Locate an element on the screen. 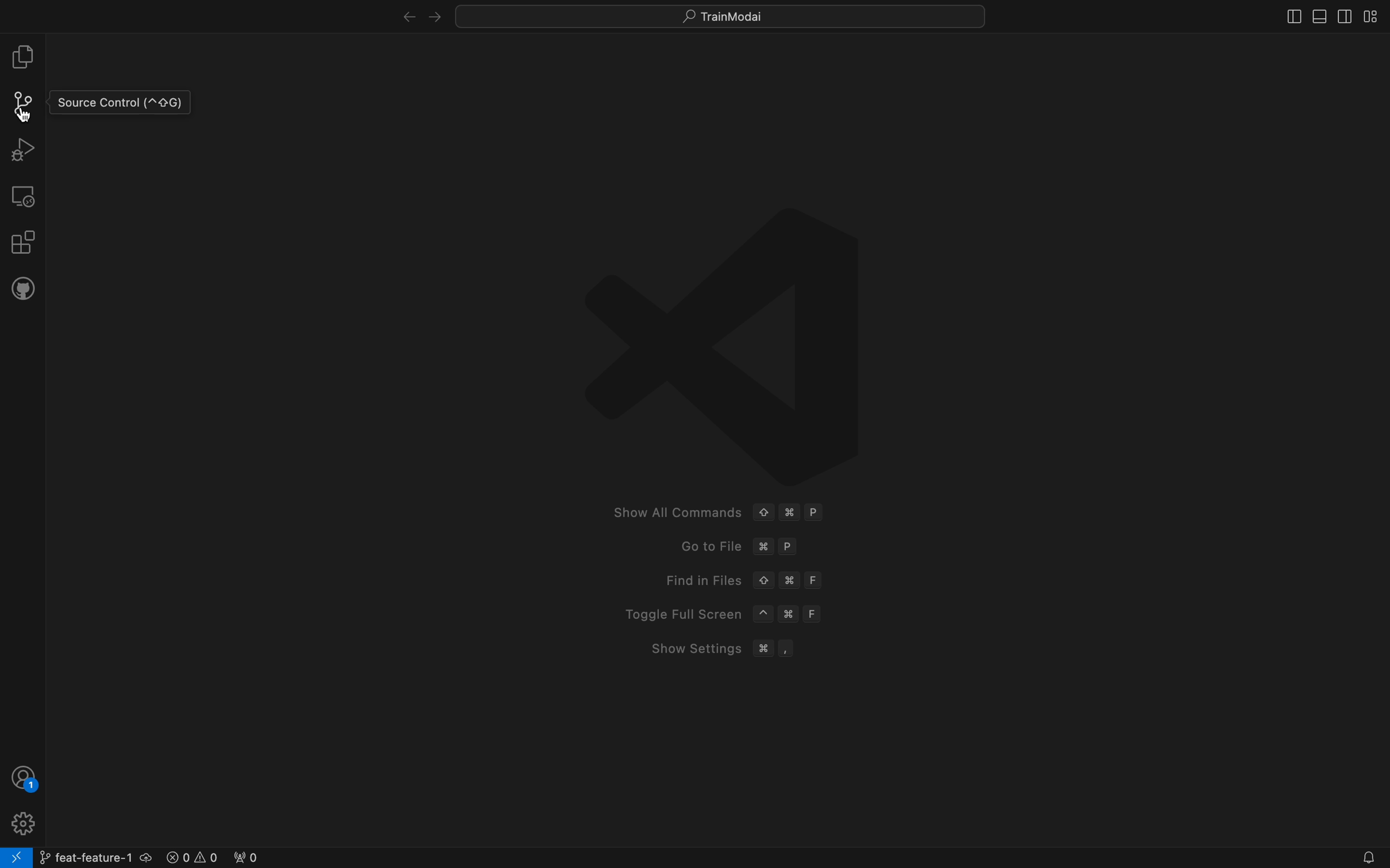 Image resolution: width=1390 pixels, height=868 pixels. debugger is located at coordinates (22, 148).